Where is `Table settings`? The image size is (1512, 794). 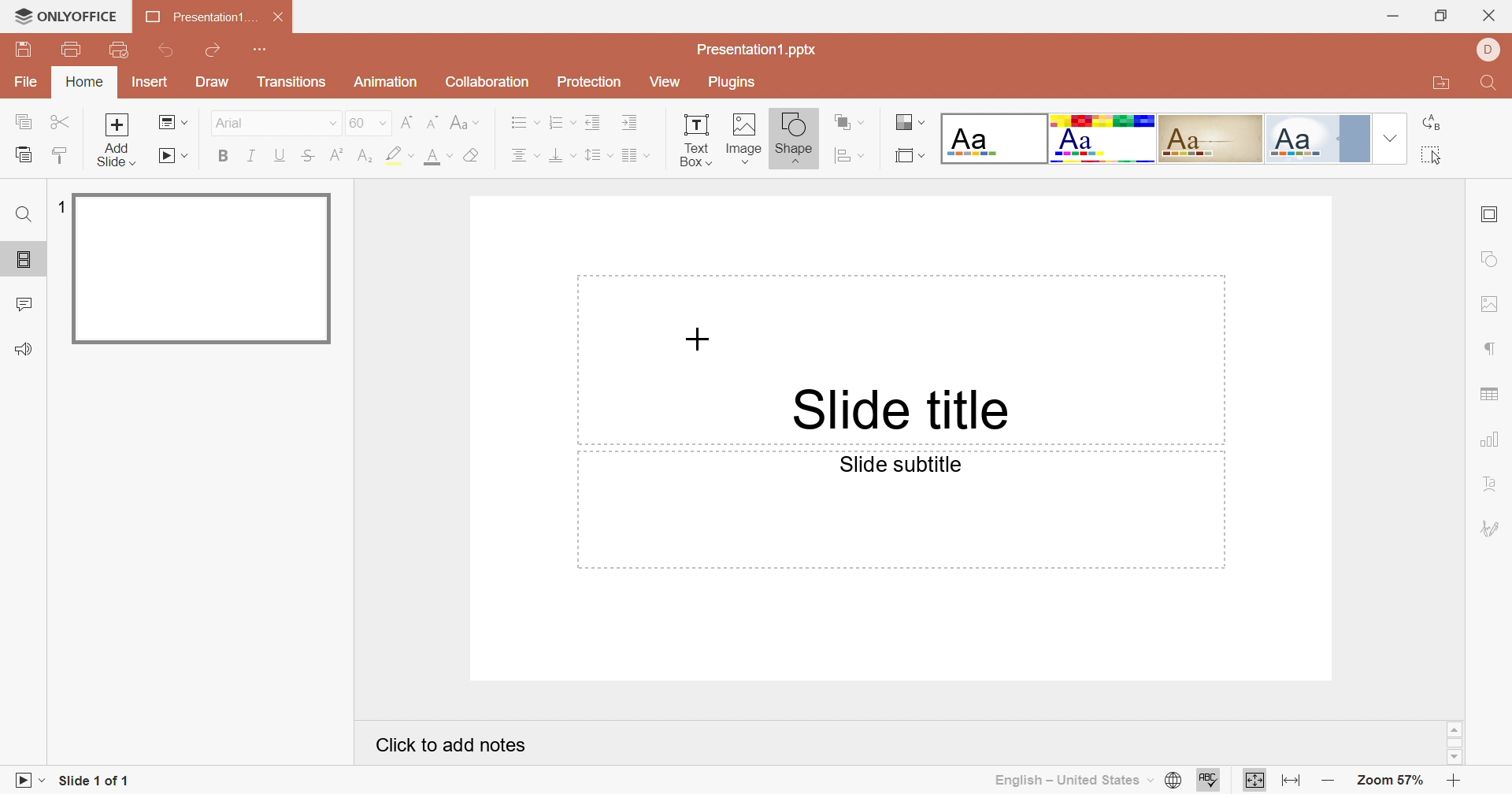 Table settings is located at coordinates (1489, 395).